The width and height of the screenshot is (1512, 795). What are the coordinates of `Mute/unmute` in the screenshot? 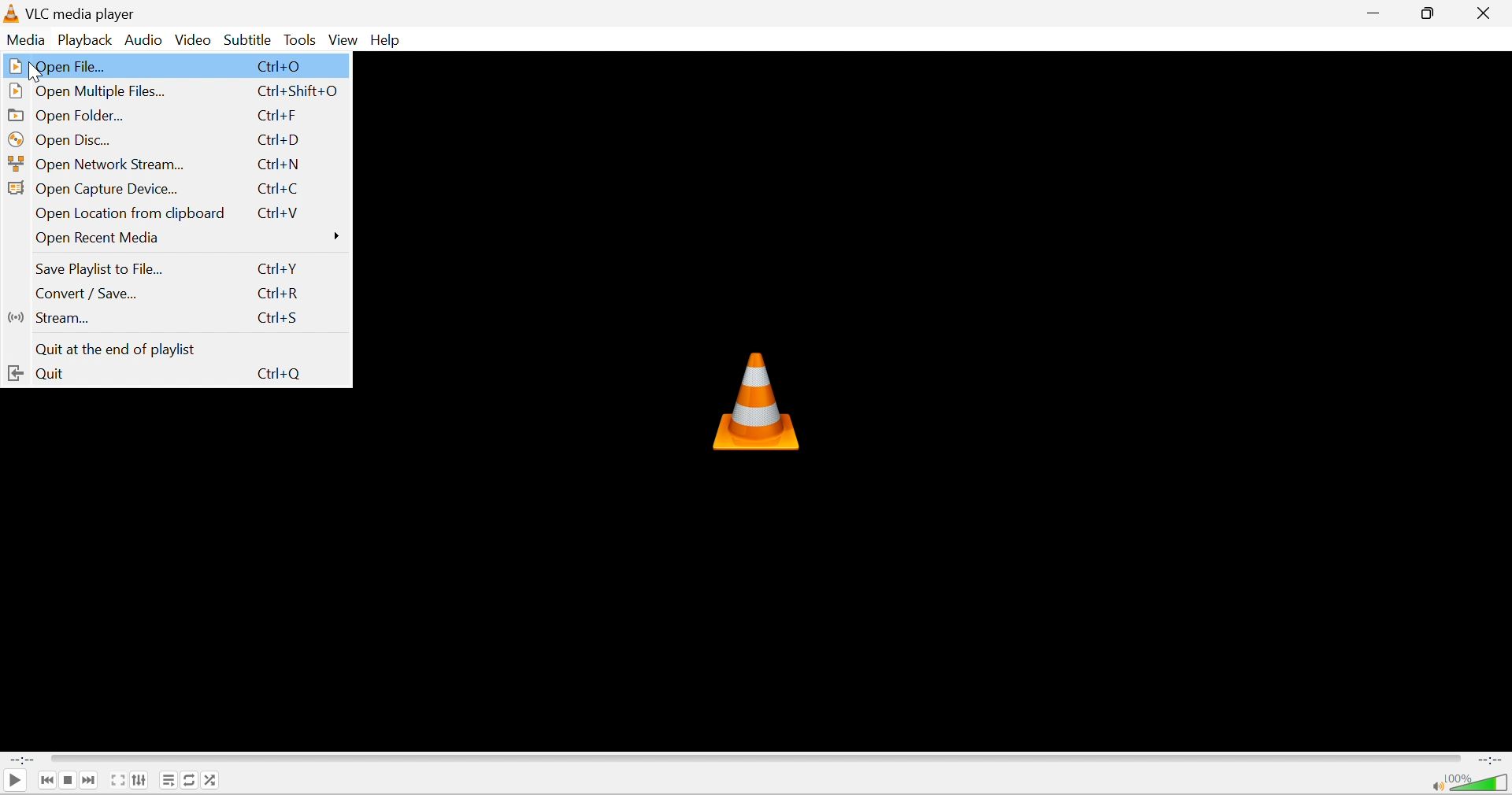 It's located at (1436, 786).